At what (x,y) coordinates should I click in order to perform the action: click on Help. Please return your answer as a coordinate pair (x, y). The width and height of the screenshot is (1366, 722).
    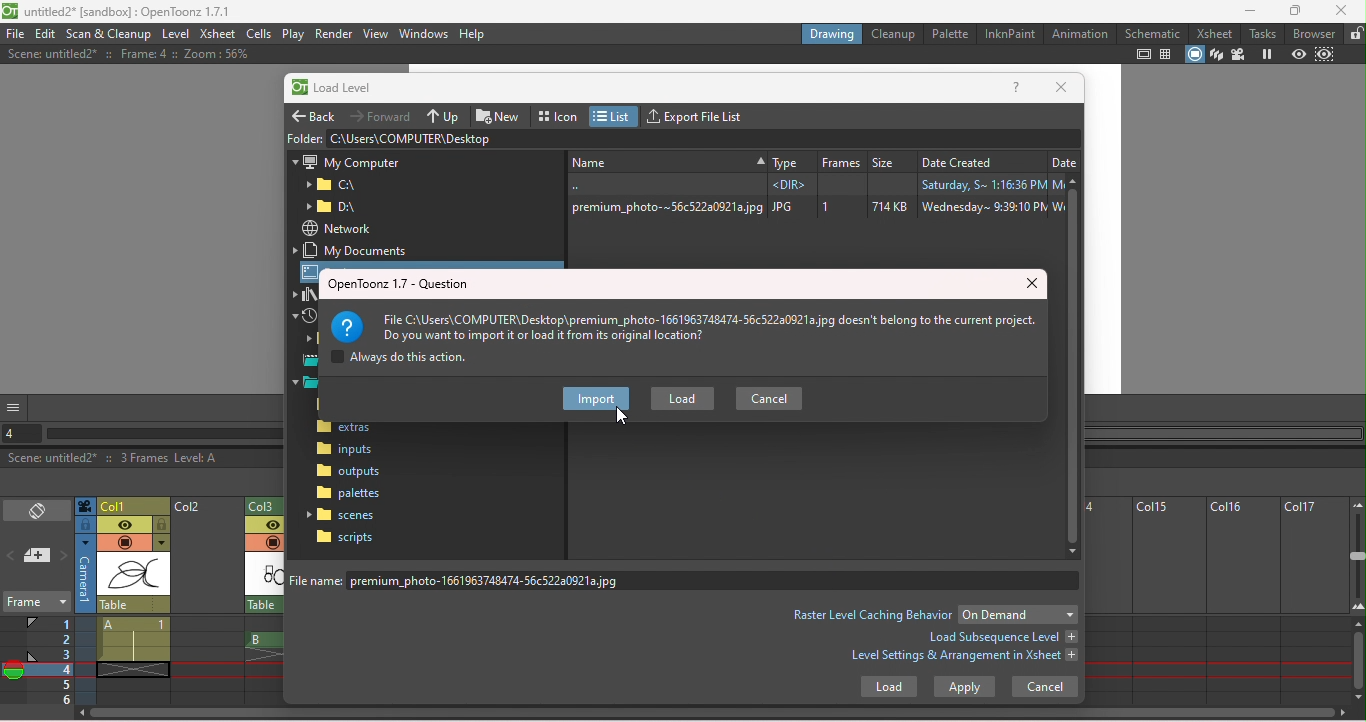
    Looking at the image, I should click on (1017, 89).